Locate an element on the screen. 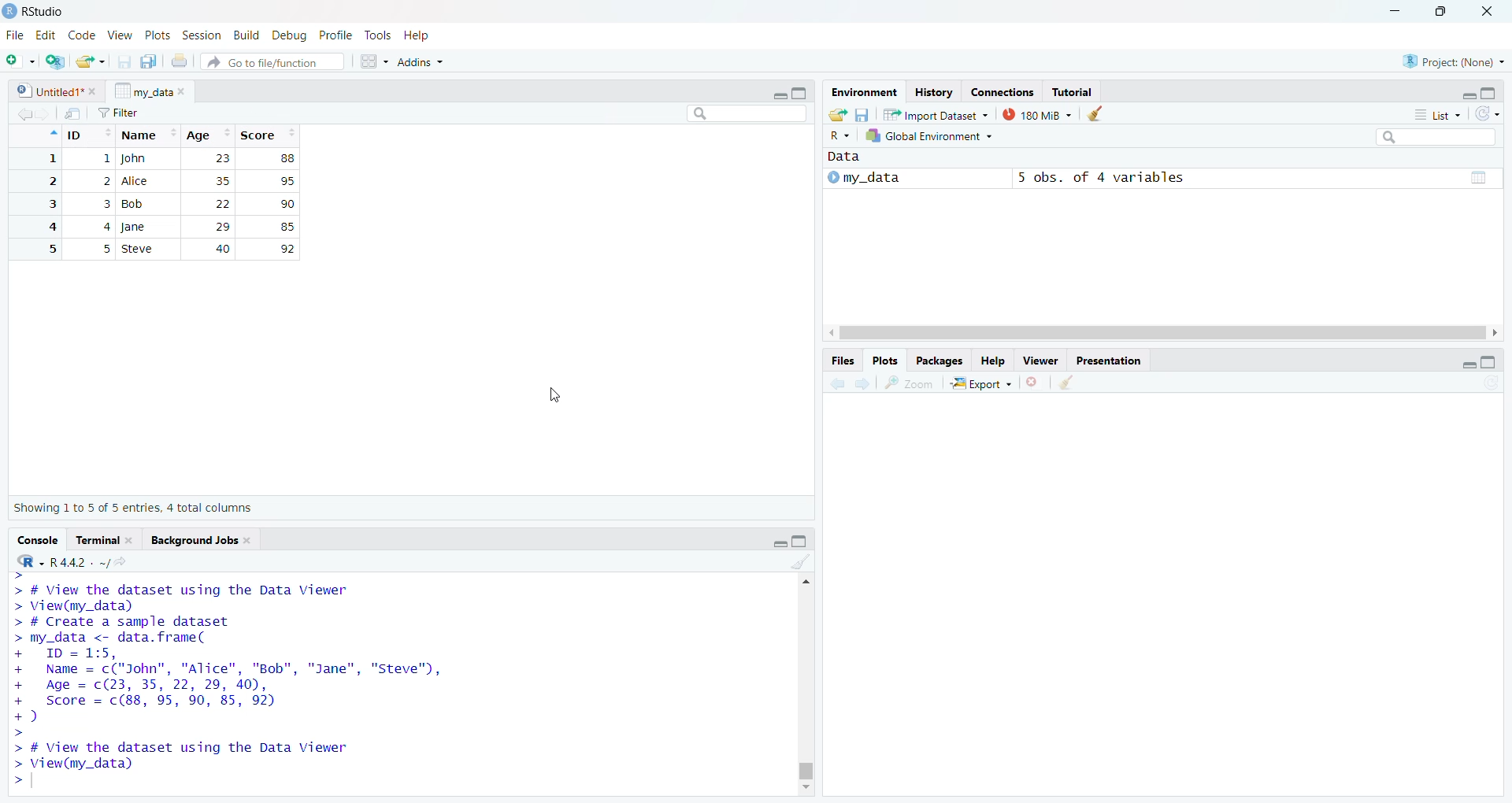 Image resolution: width=1512 pixels, height=803 pixels. Source on save is located at coordinates (161, 115).